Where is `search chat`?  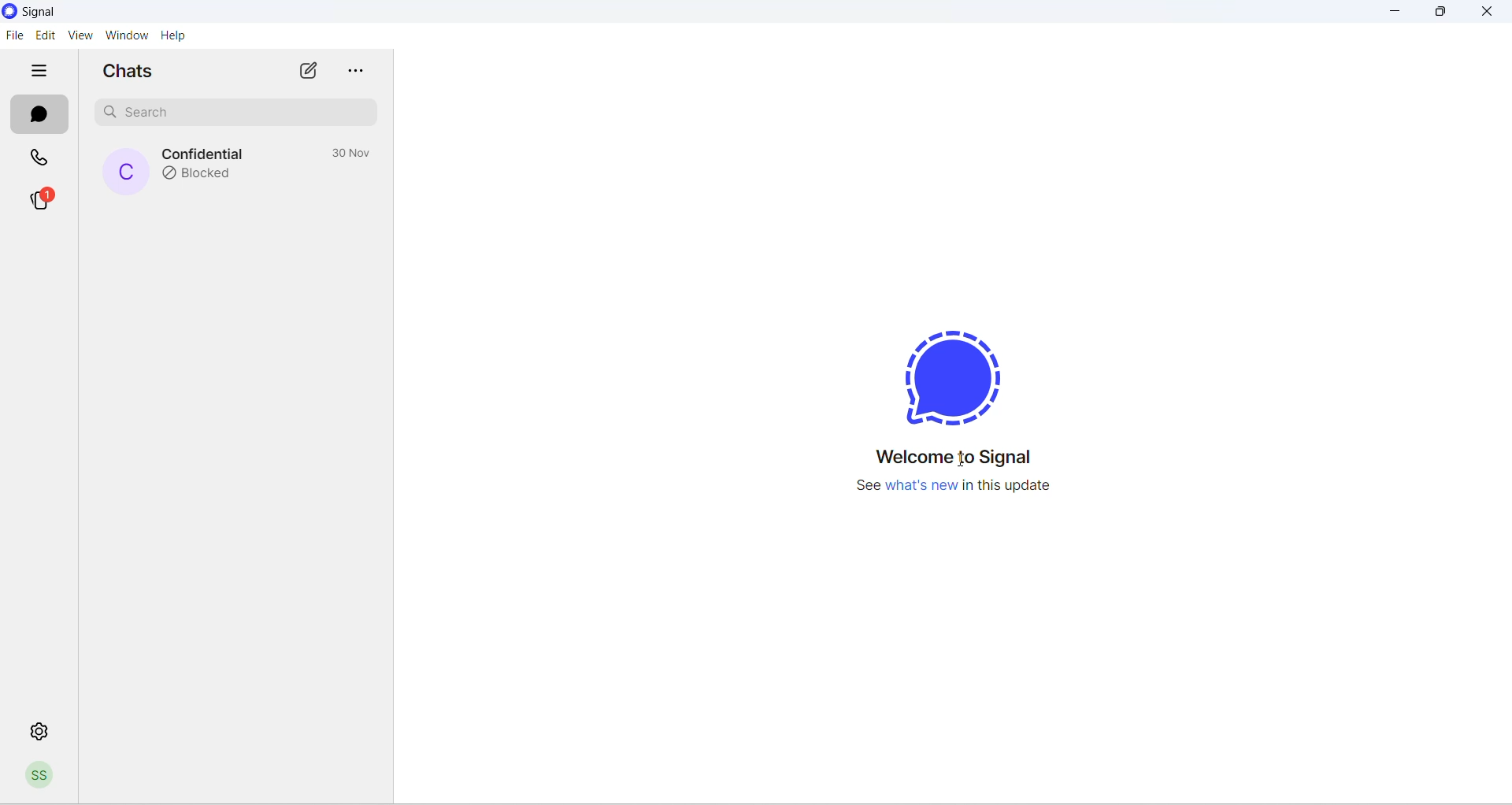 search chat is located at coordinates (228, 114).